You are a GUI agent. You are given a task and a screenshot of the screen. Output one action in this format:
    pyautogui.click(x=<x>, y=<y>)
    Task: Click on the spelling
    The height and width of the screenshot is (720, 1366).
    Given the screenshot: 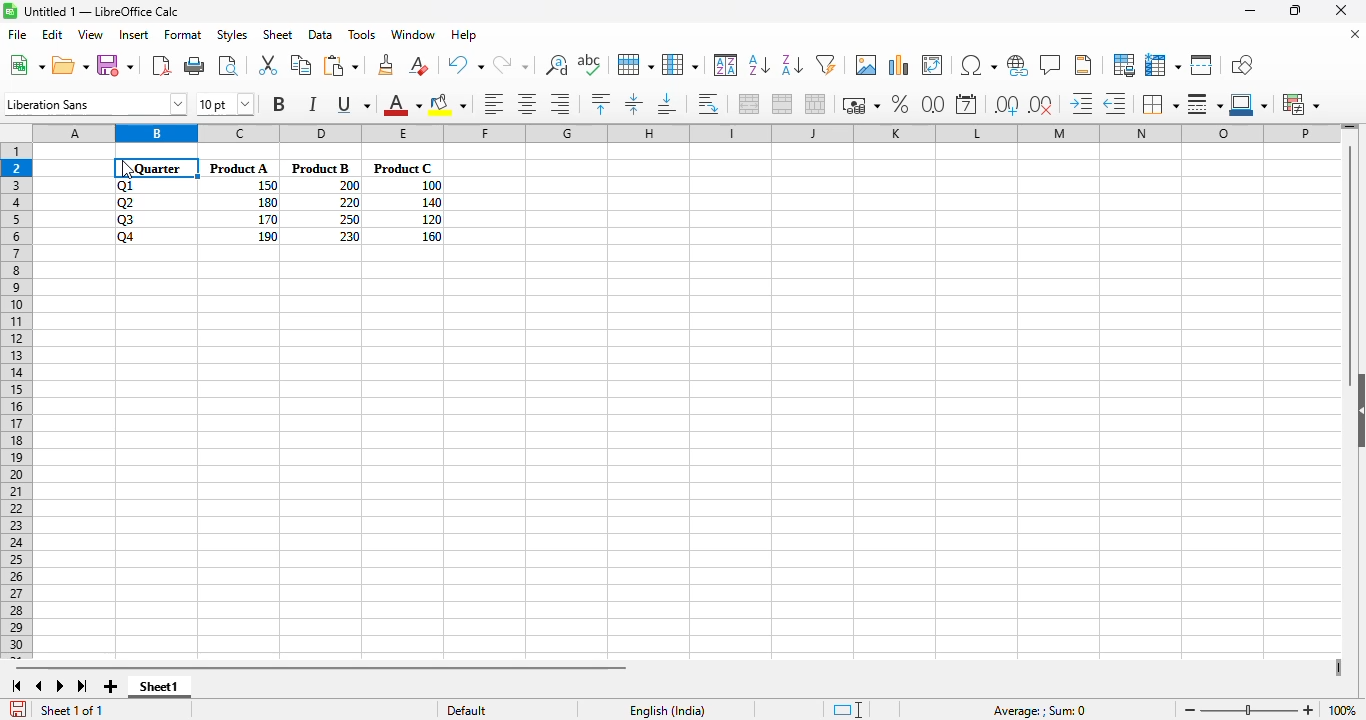 What is the action you would take?
    pyautogui.click(x=590, y=65)
    